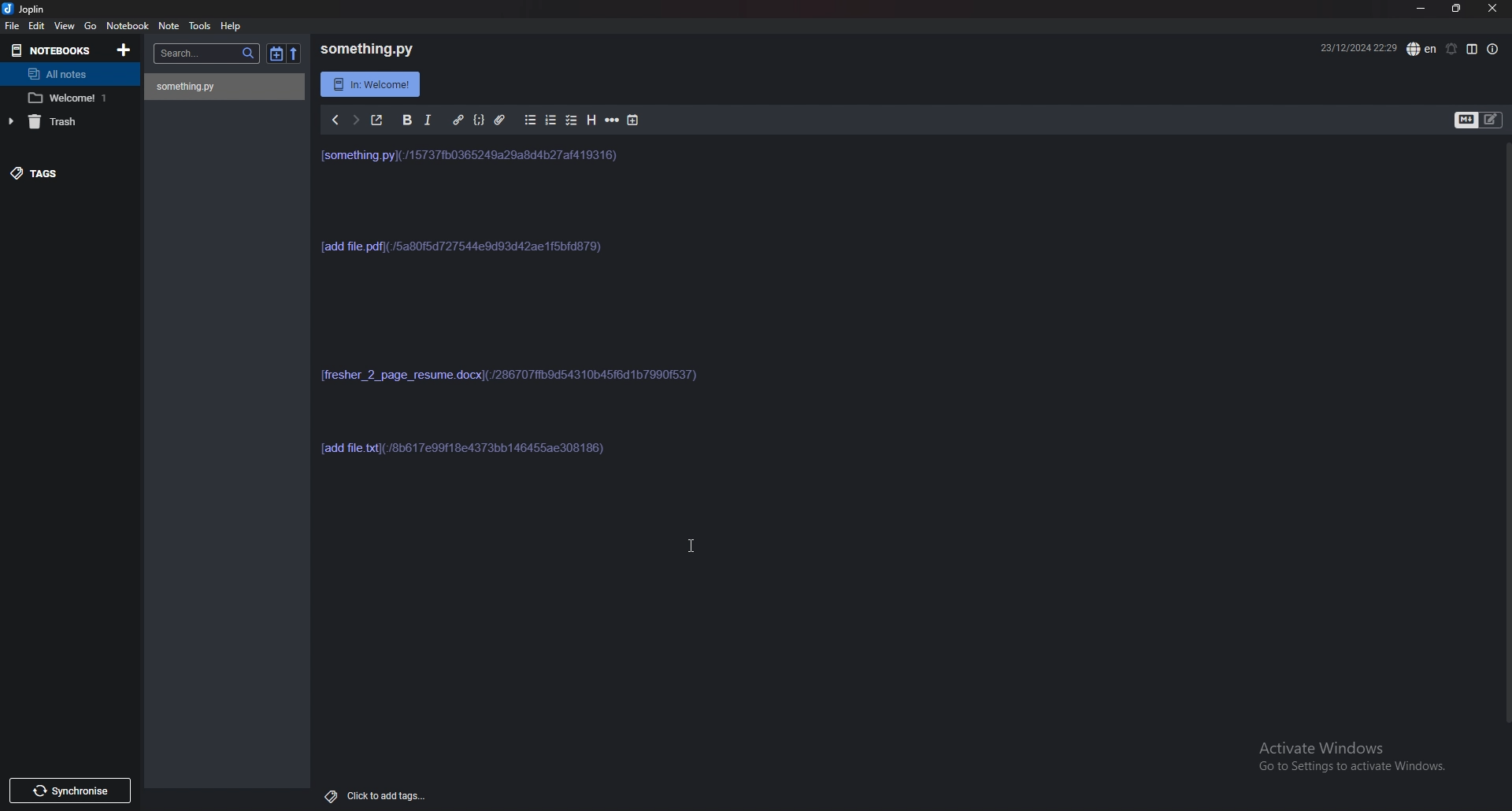 This screenshot has width=1512, height=811. Describe the element at coordinates (69, 126) in the screenshot. I see `trash` at that location.